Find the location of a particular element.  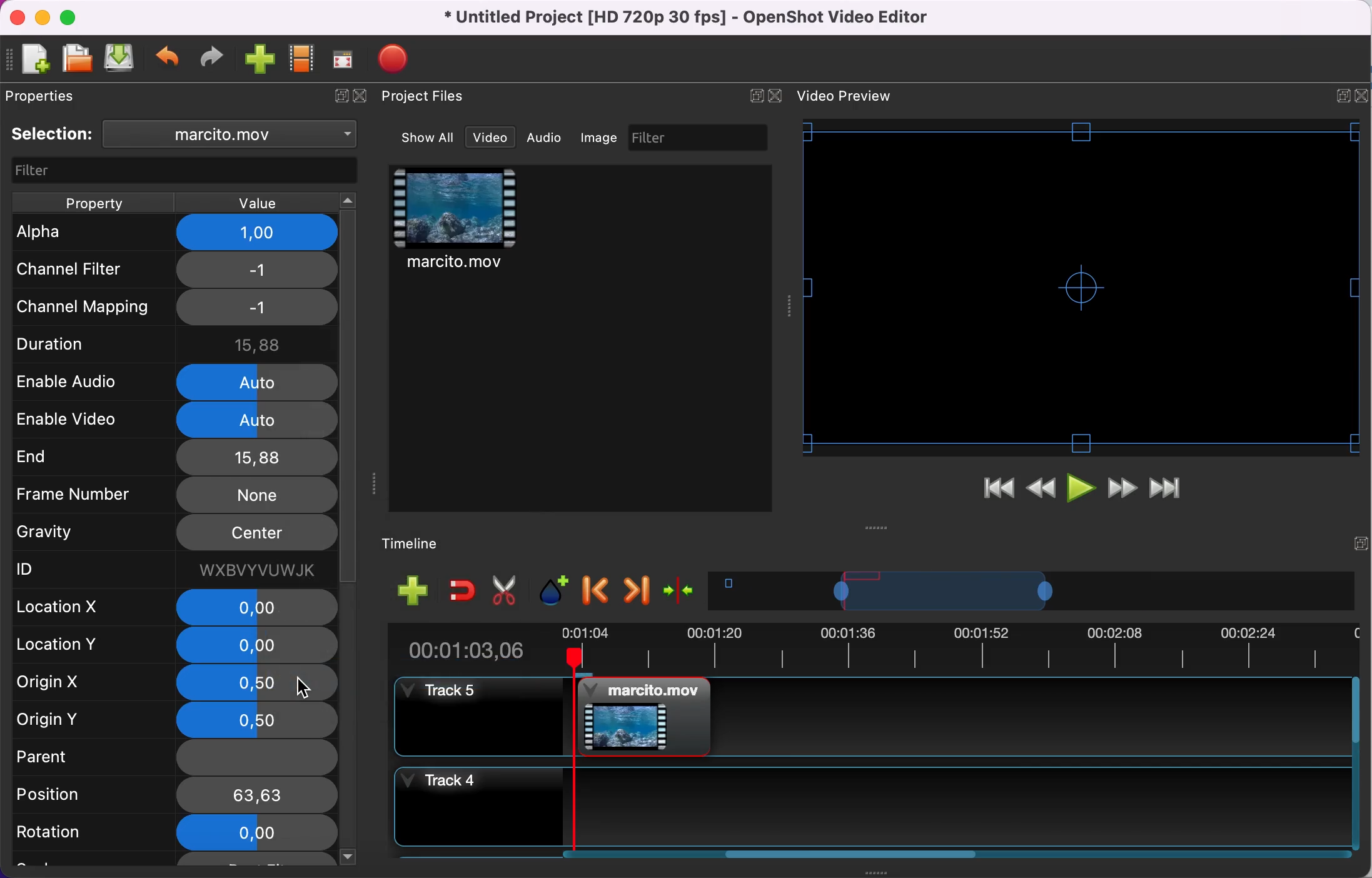

enable snapping is located at coordinates (463, 589).